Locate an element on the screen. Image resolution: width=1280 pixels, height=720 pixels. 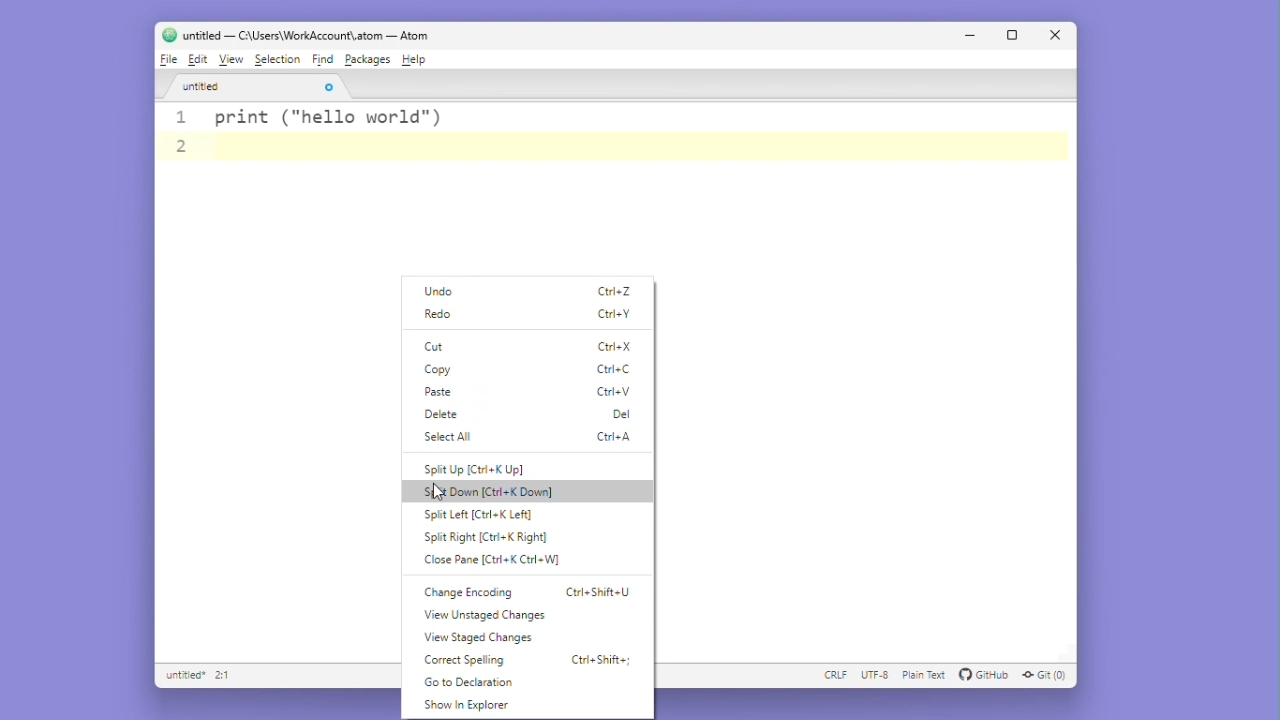
delete is located at coordinates (443, 413).